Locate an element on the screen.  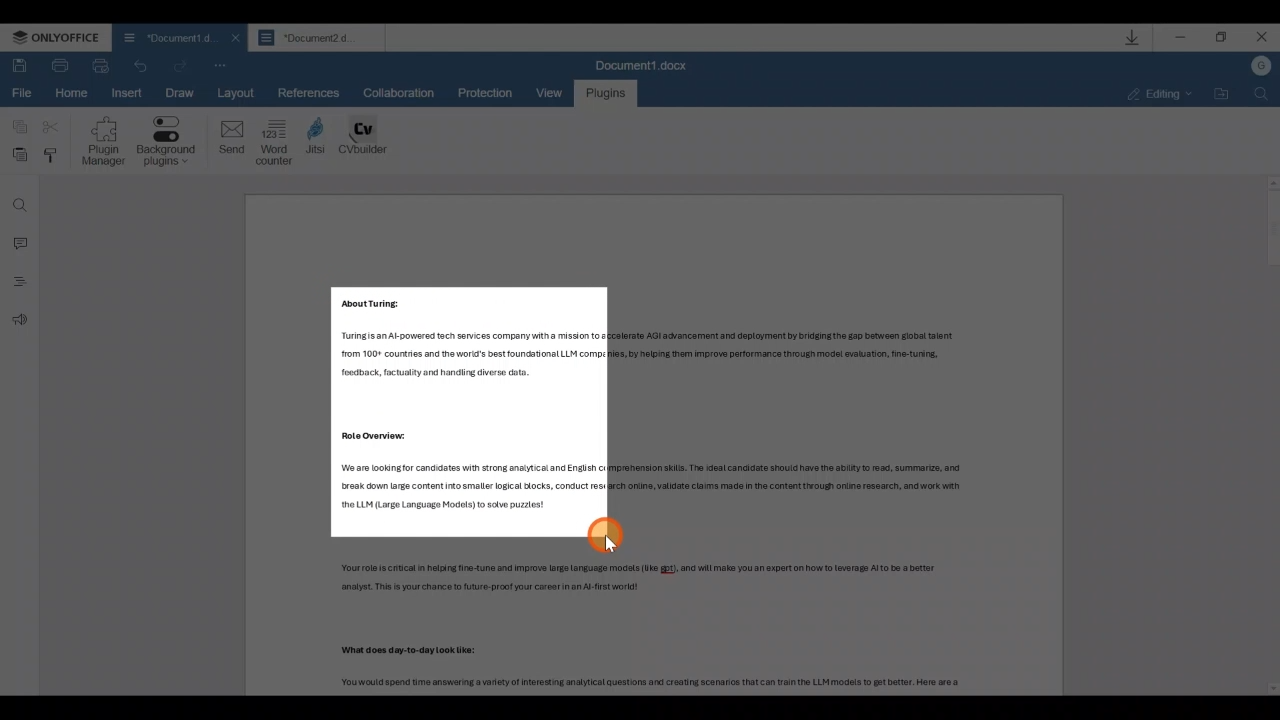
Editing mode is located at coordinates (1153, 94).